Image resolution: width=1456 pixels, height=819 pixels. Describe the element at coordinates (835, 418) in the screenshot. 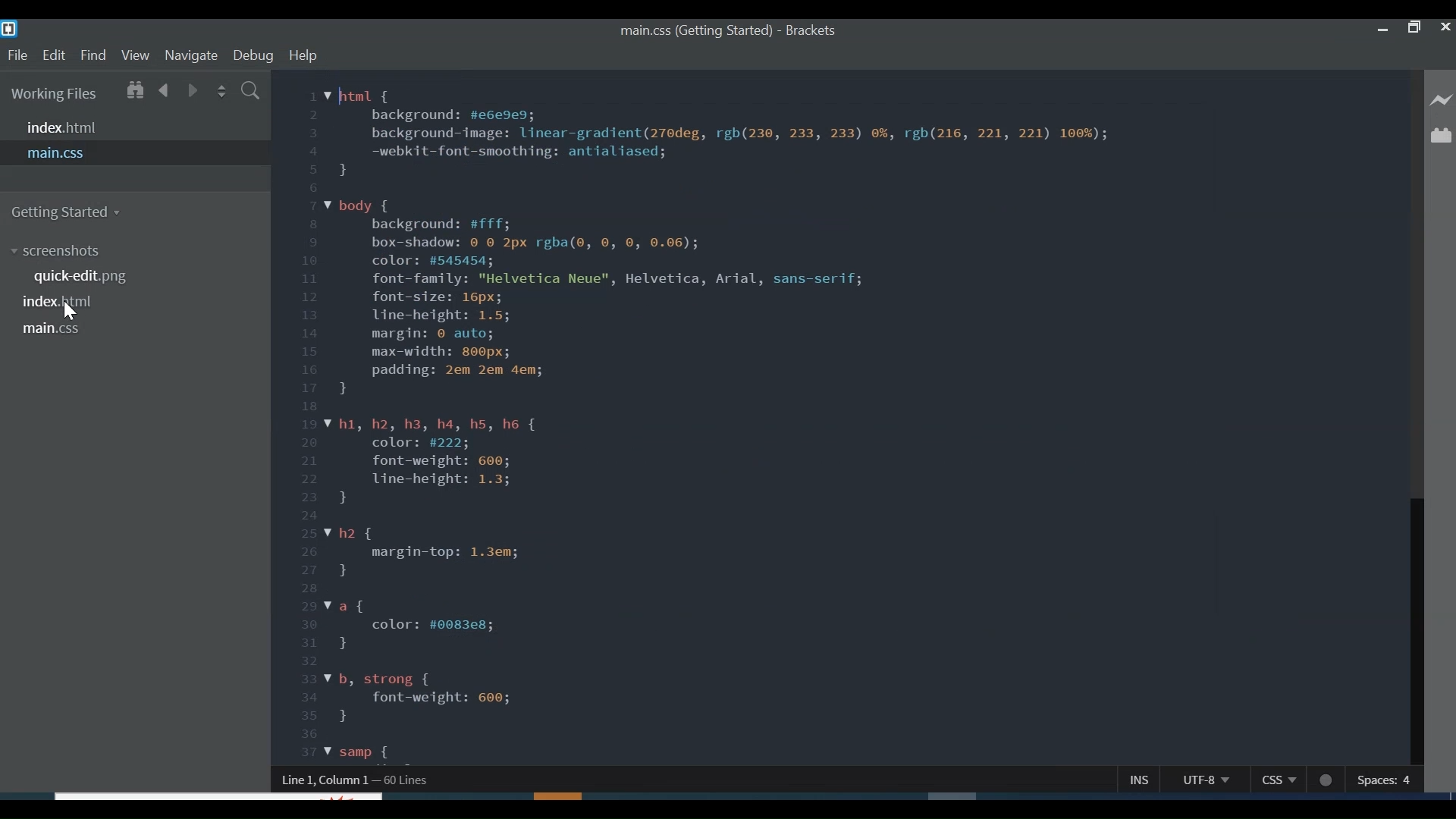

I see `code having JavaScript` at that location.